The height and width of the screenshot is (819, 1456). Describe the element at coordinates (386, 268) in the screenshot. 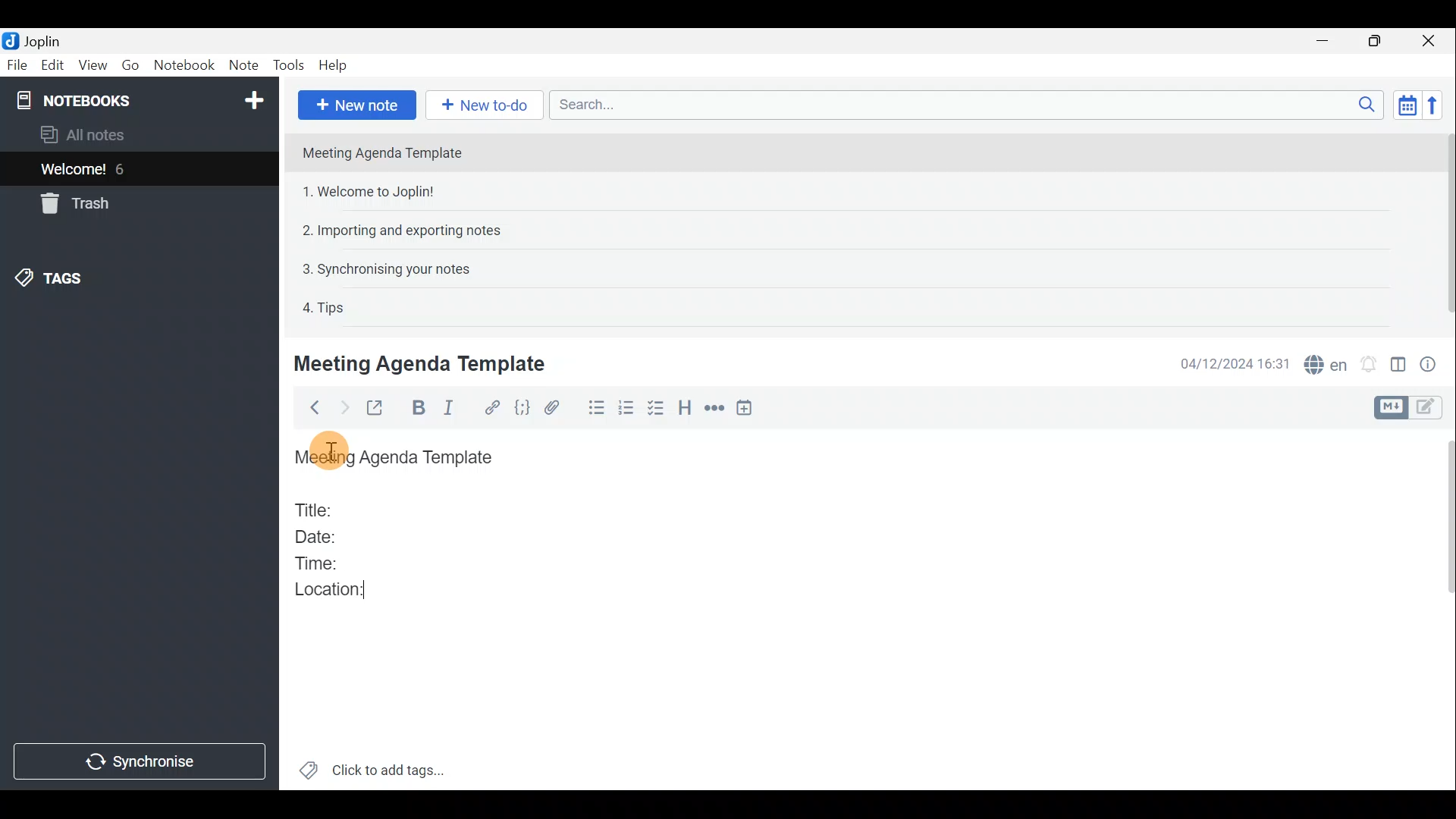

I see `3. Synchronising your notes` at that location.